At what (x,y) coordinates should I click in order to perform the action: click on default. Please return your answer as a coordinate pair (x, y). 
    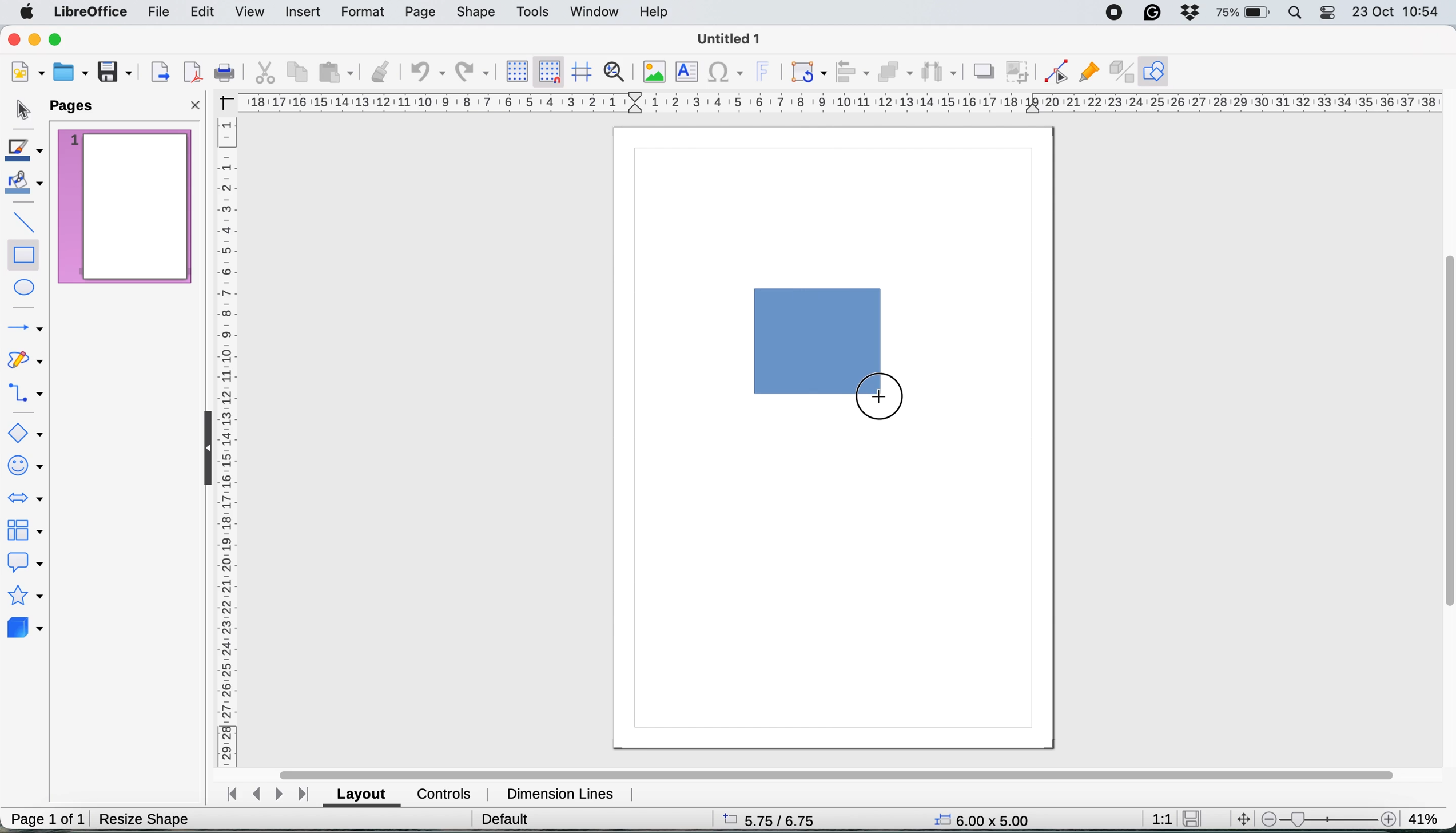
    Looking at the image, I should click on (504, 818).